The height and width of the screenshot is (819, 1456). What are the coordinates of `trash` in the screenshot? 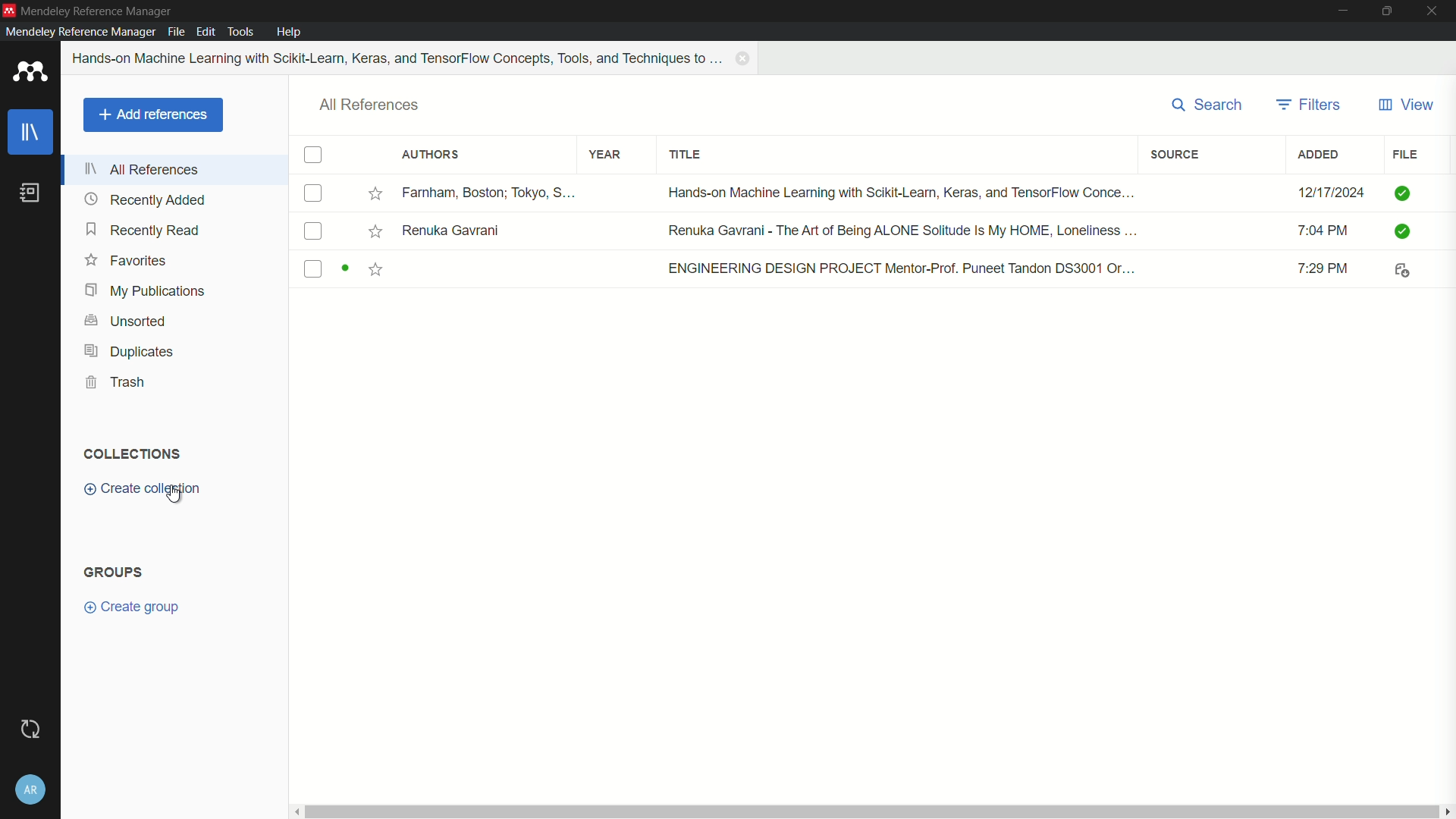 It's located at (117, 383).